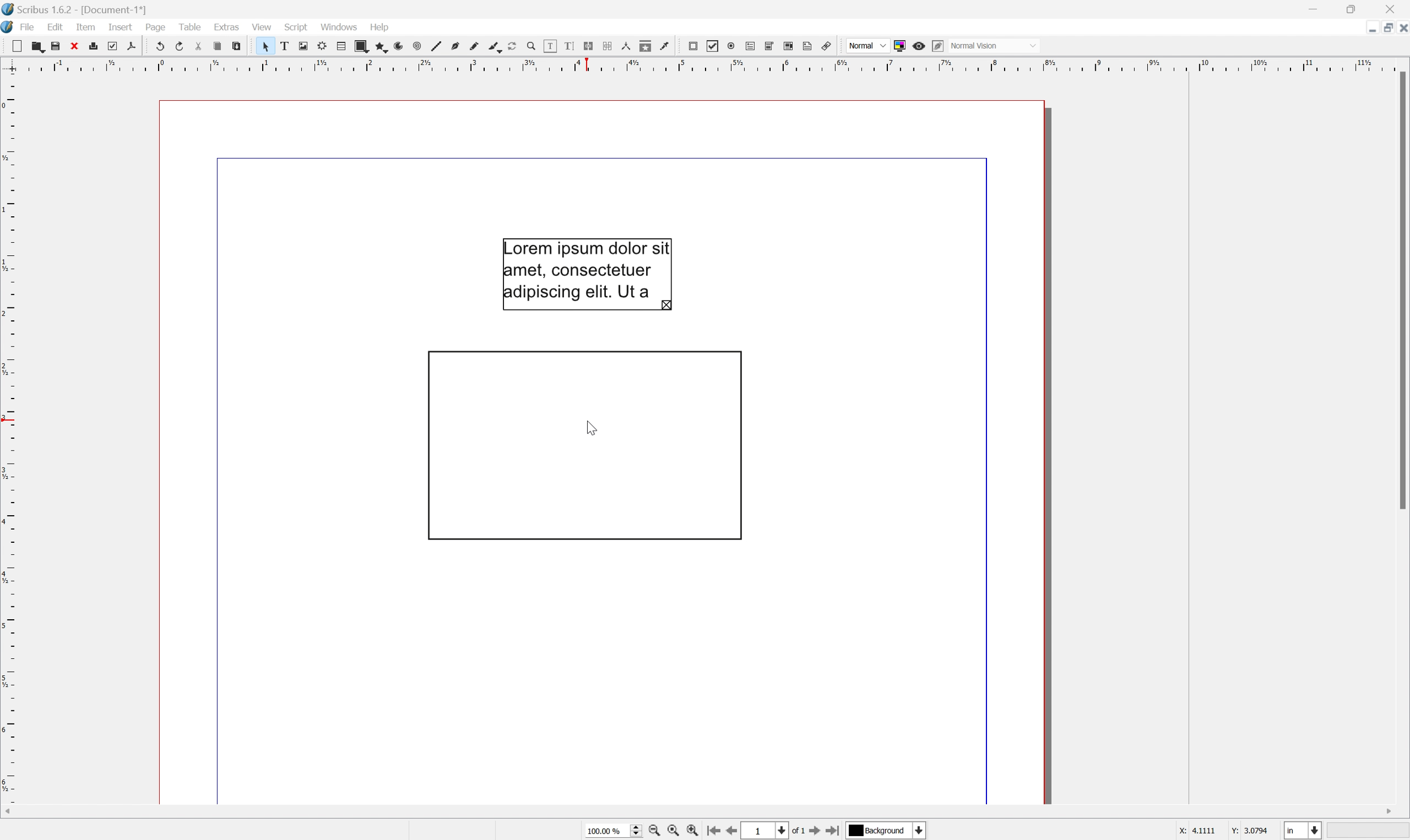  I want to click on cursor, so click(592, 428).